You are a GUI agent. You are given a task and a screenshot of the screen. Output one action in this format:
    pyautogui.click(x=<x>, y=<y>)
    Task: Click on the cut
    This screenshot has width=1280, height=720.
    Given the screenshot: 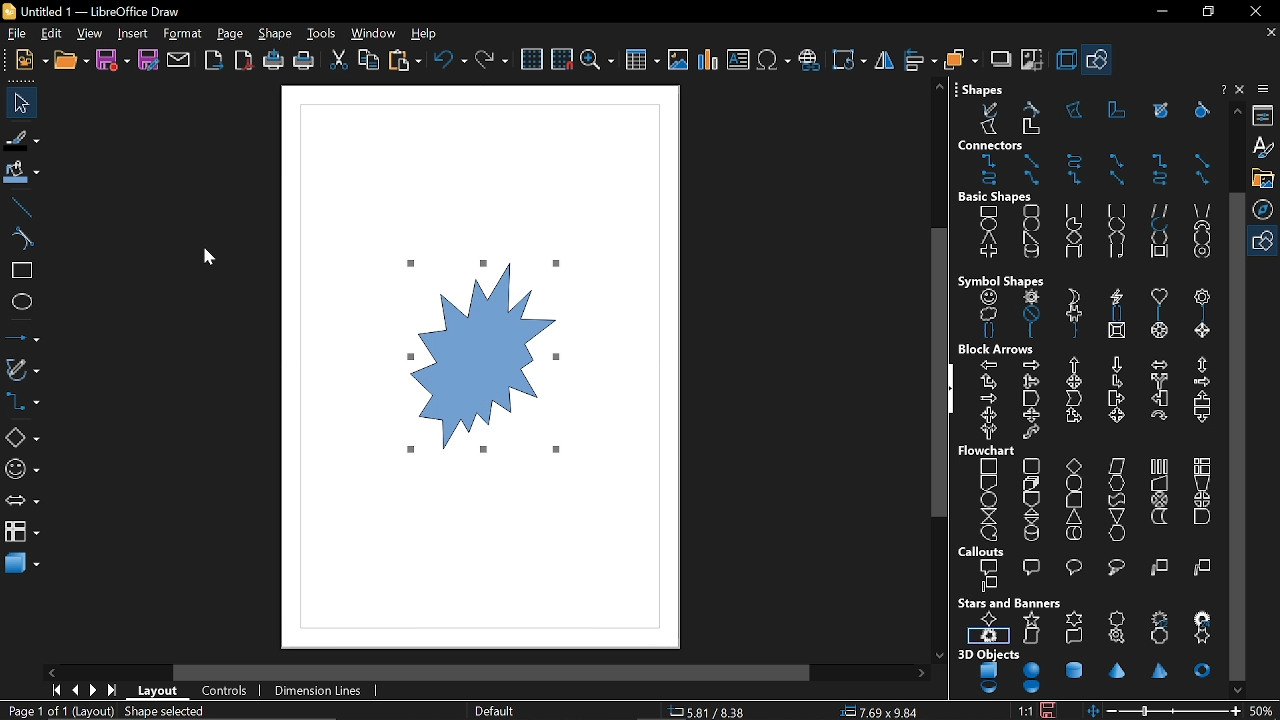 What is the action you would take?
    pyautogui.click(x=340, y=60)
    